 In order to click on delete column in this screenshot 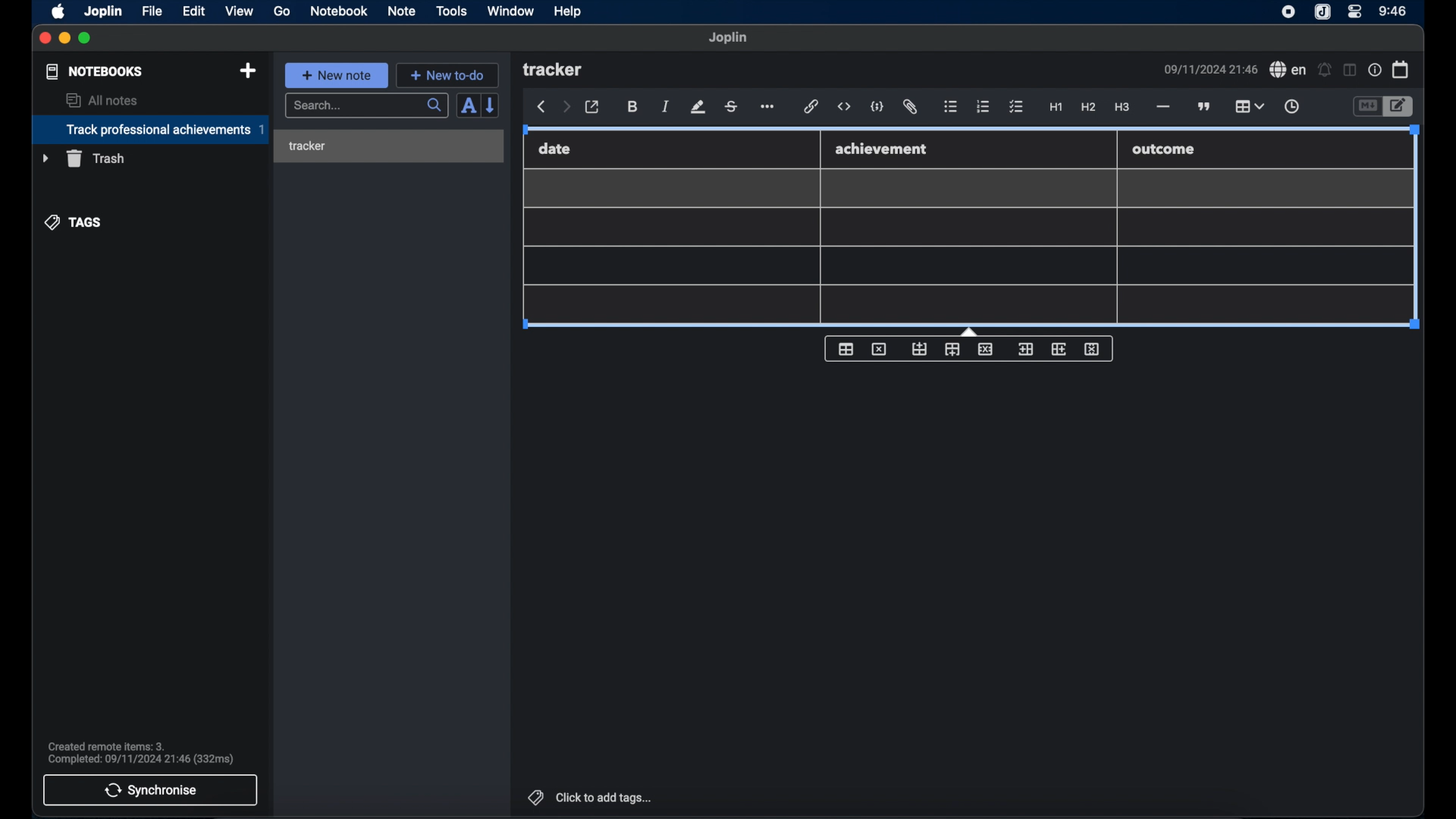, I will do `click(1093, 350)`.